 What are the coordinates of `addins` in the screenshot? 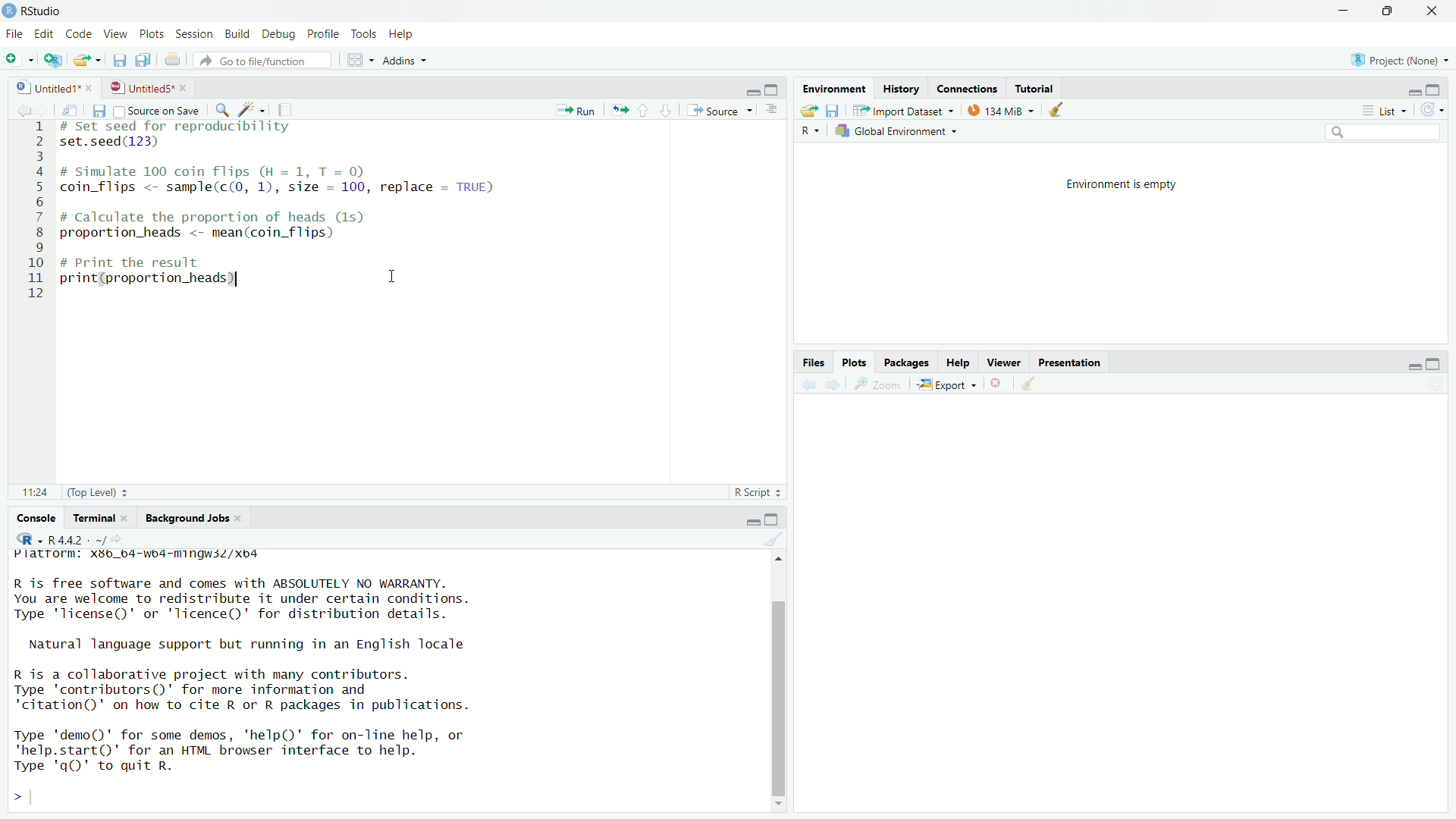 It's located at (405, 60).